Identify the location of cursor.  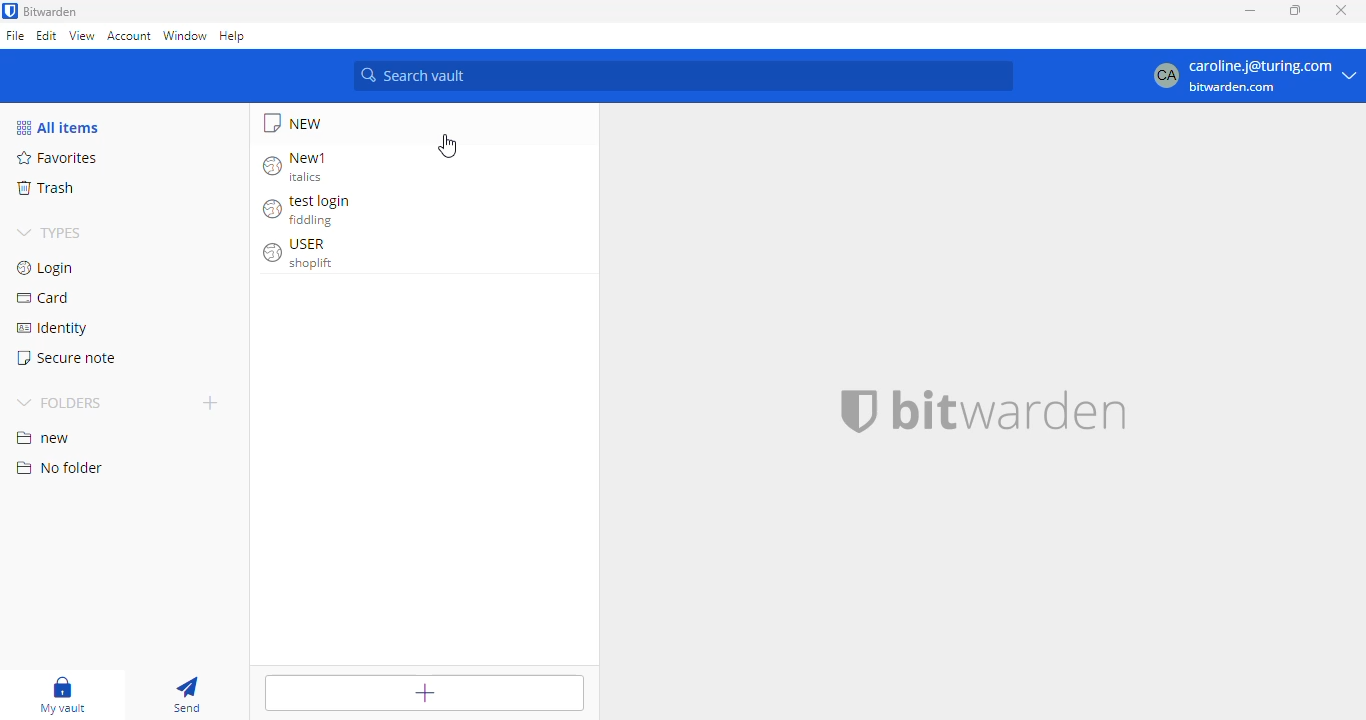
(447, 145).